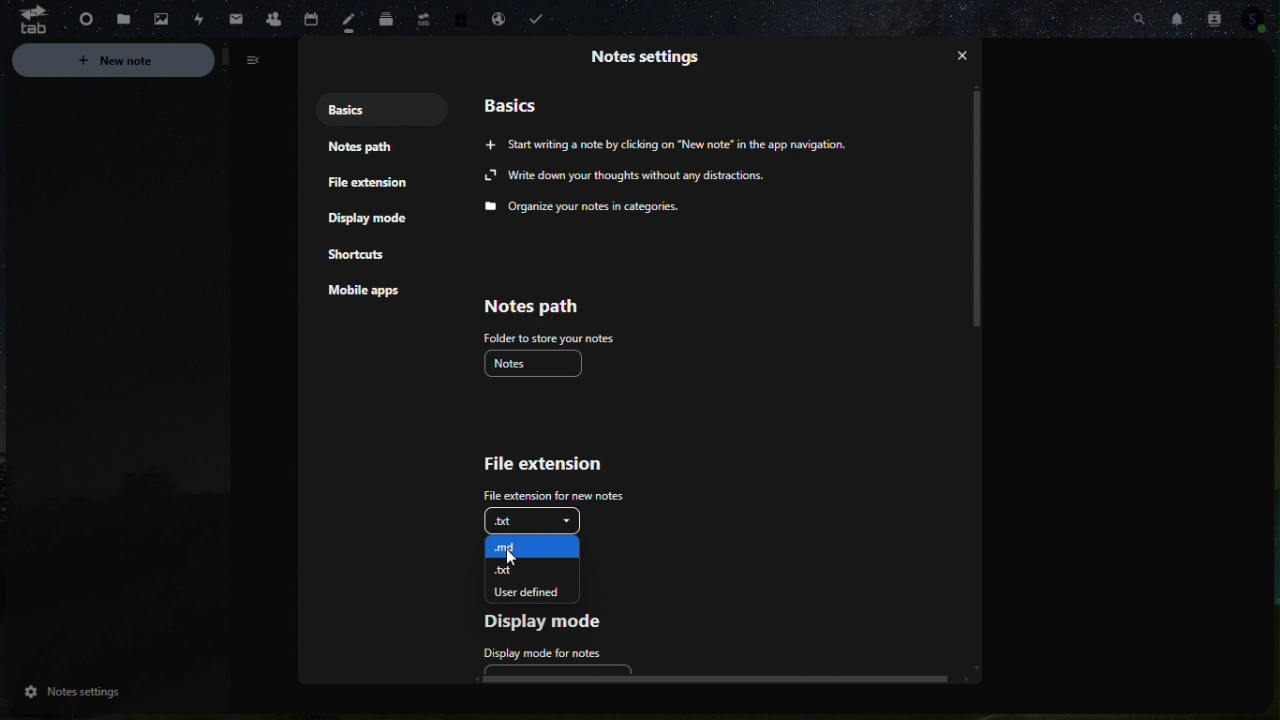  I want to click on Search bar, so click(1138, 16).